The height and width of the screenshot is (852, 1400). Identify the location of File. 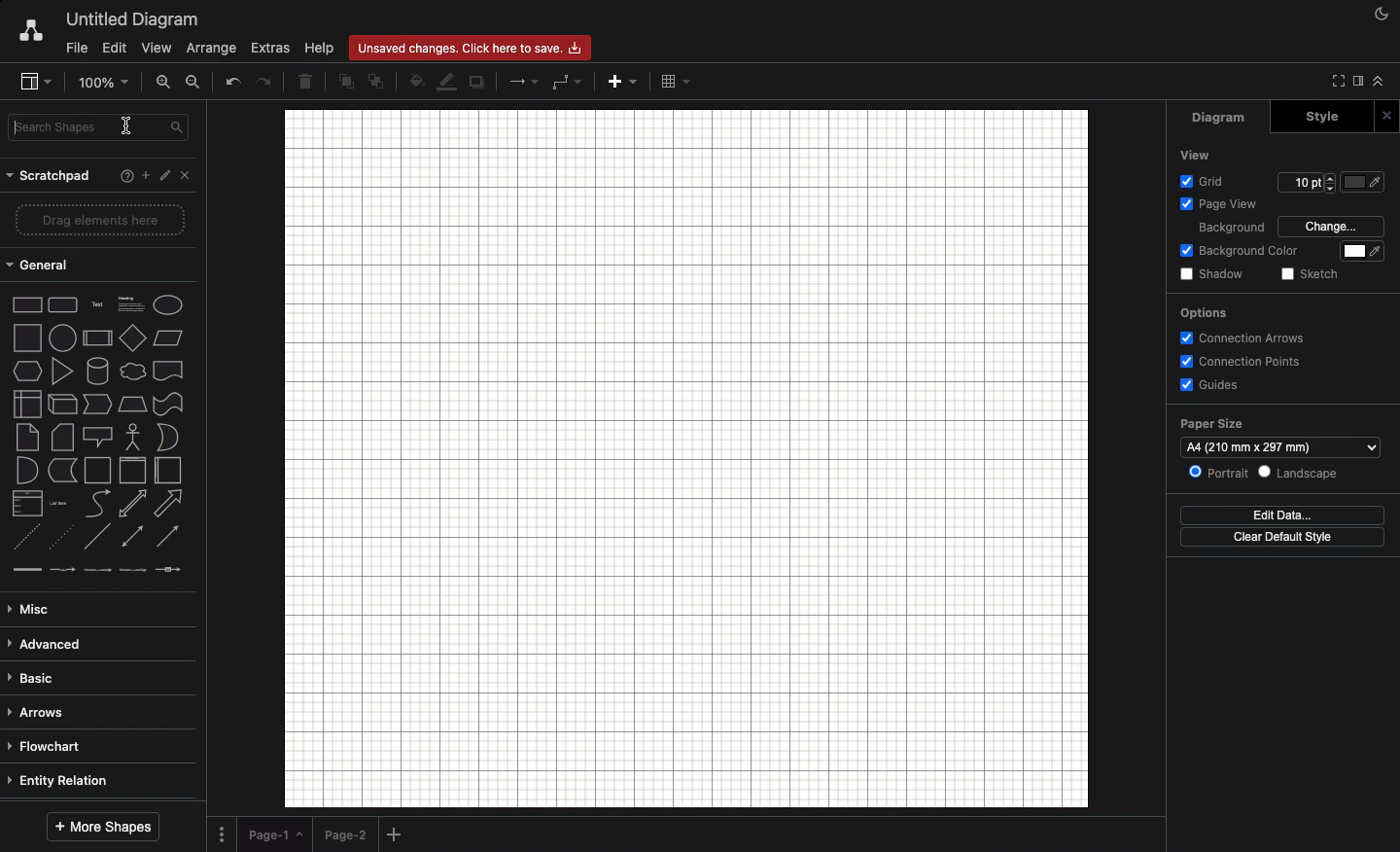
(74, 49).